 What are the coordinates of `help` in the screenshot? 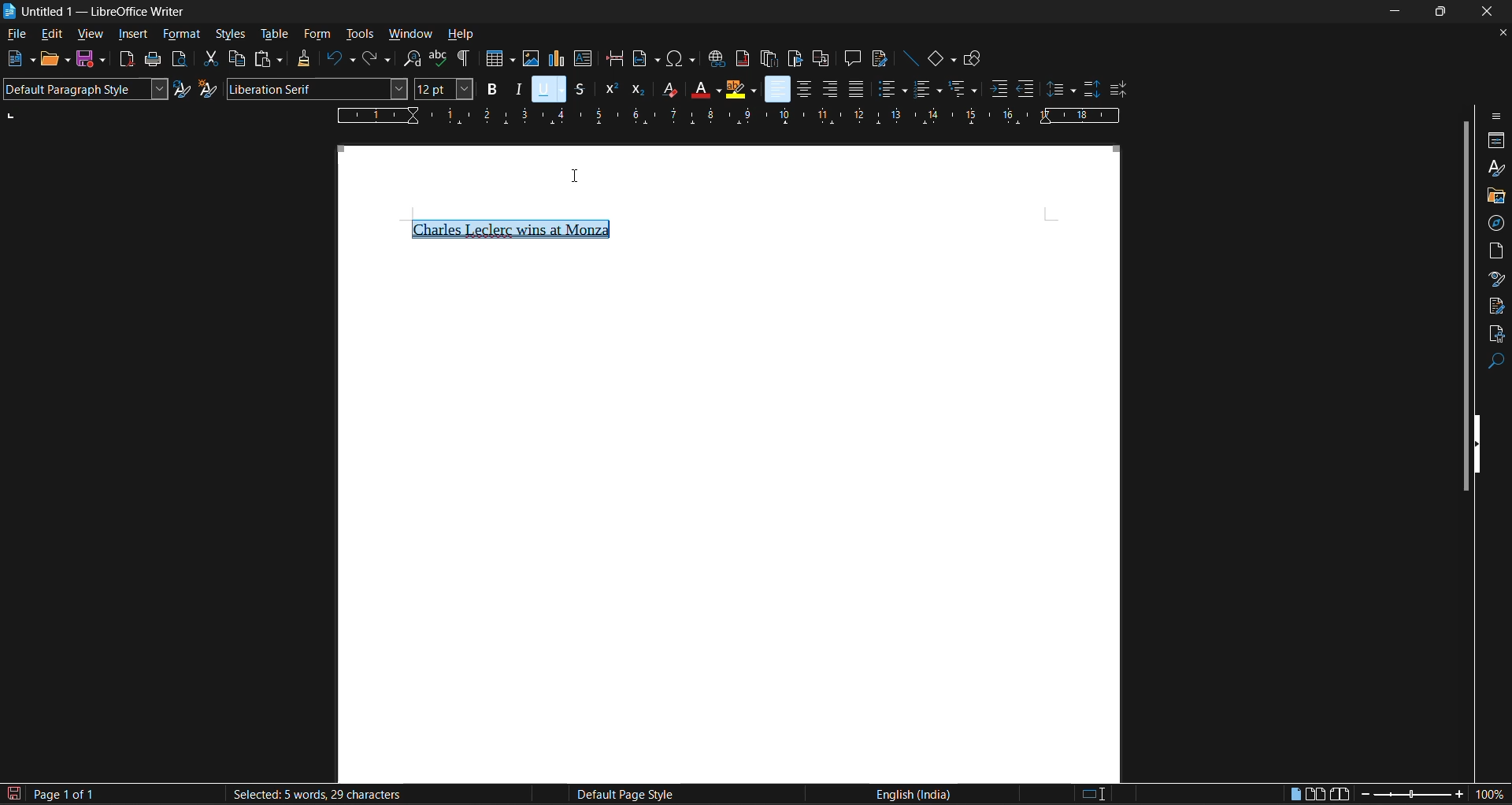 It's located at (461, 35).